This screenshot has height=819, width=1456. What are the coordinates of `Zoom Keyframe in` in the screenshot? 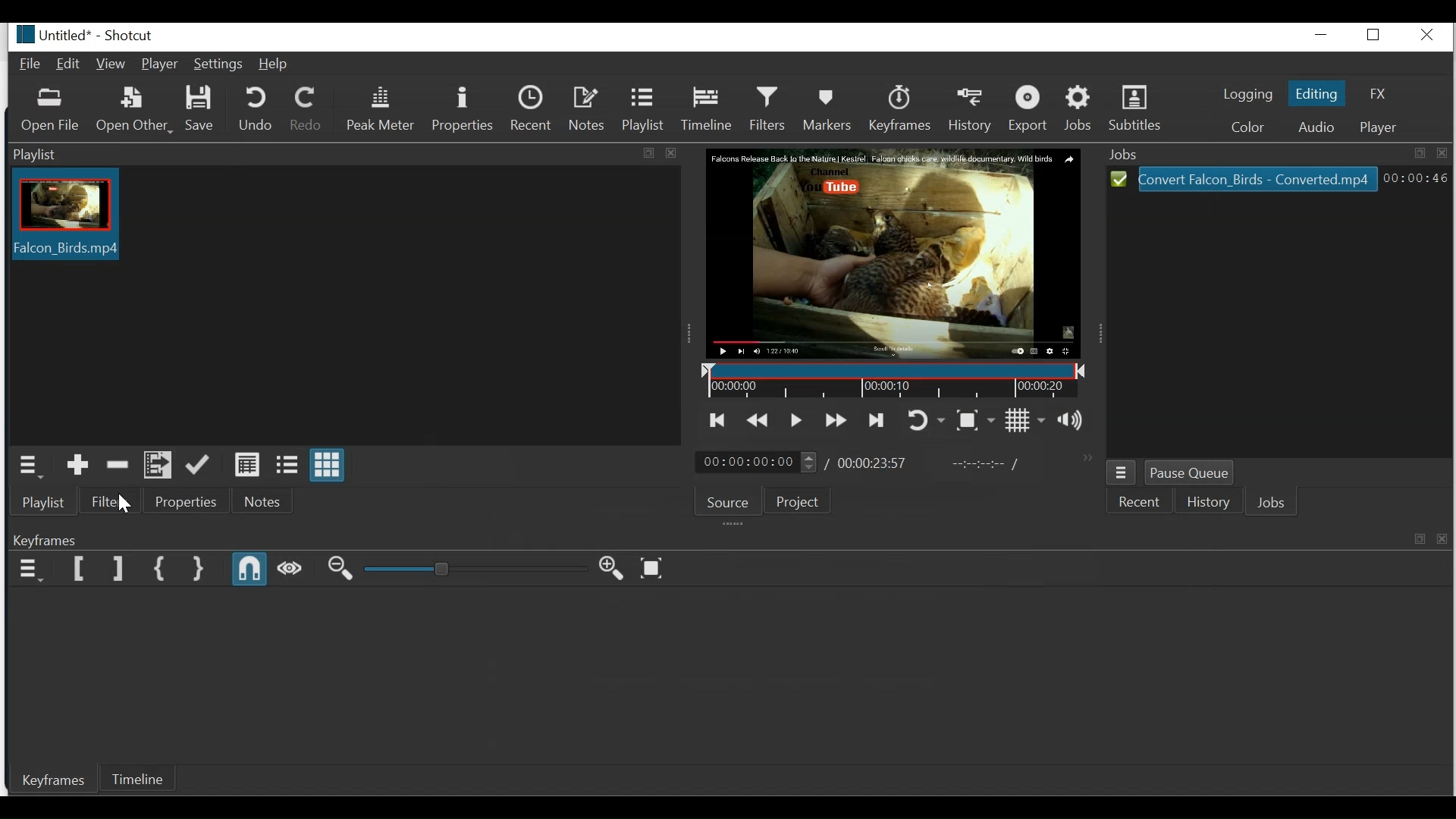 It's located at (615, 567).